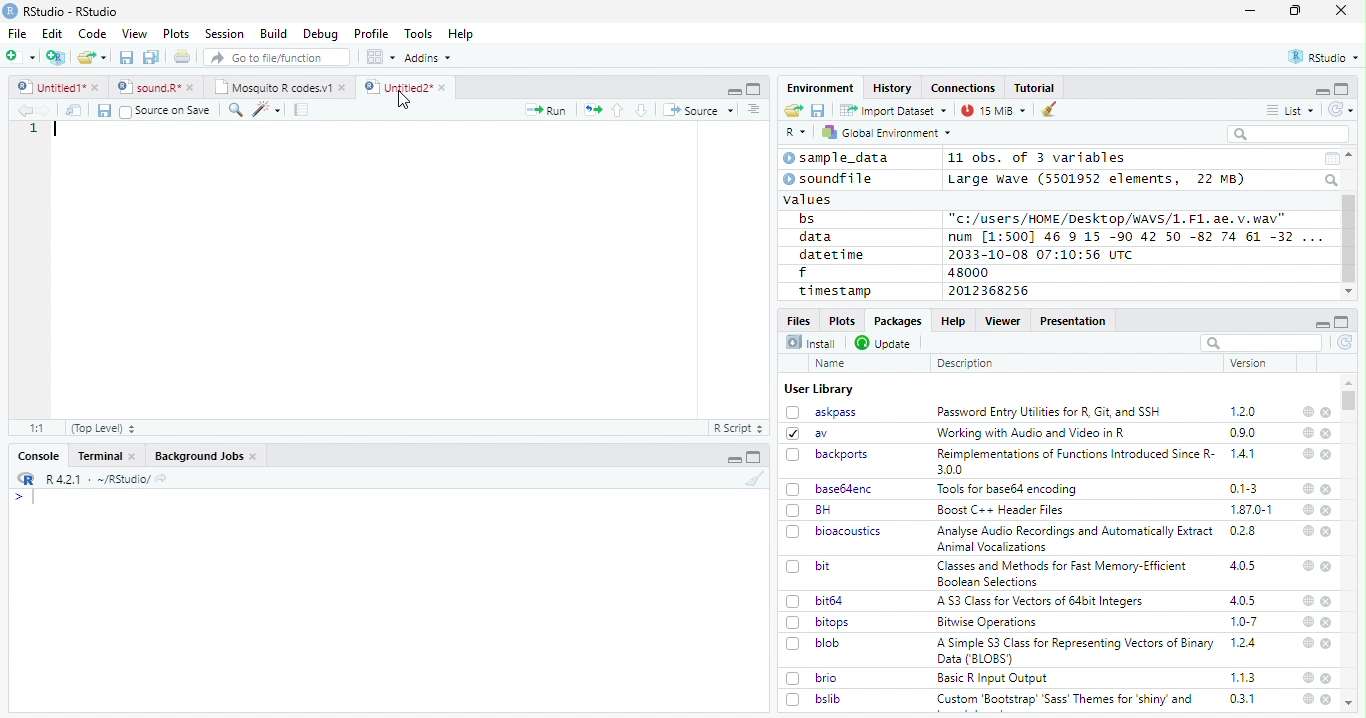 Image resolution: width=1366 pixels, height=718 pixels. What do you see at coordinates (751, 478) in the screenshot?
I see `clear workspace` at bounding box center [751, 478].